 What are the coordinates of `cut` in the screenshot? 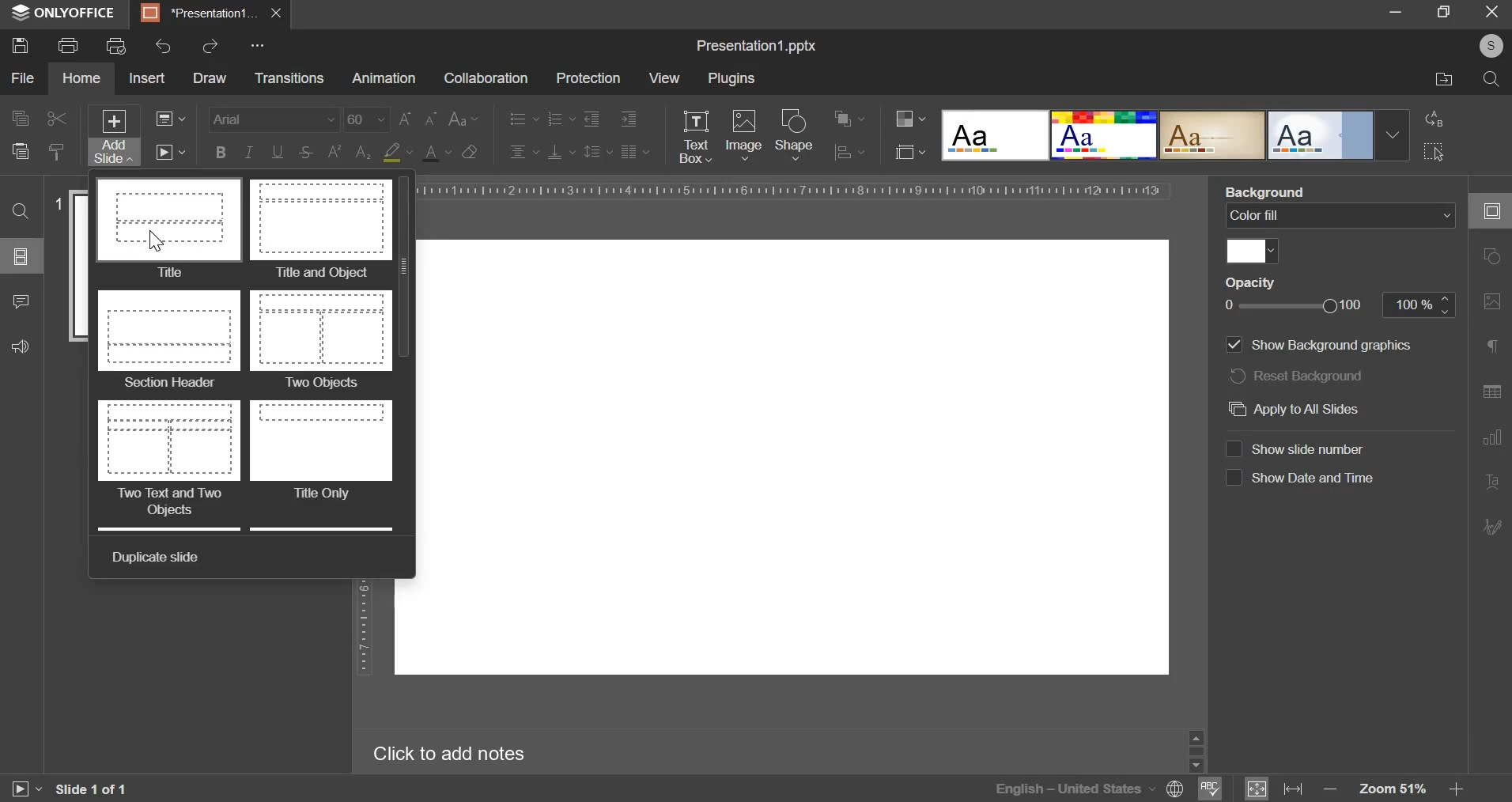 It's located at (58, 119).